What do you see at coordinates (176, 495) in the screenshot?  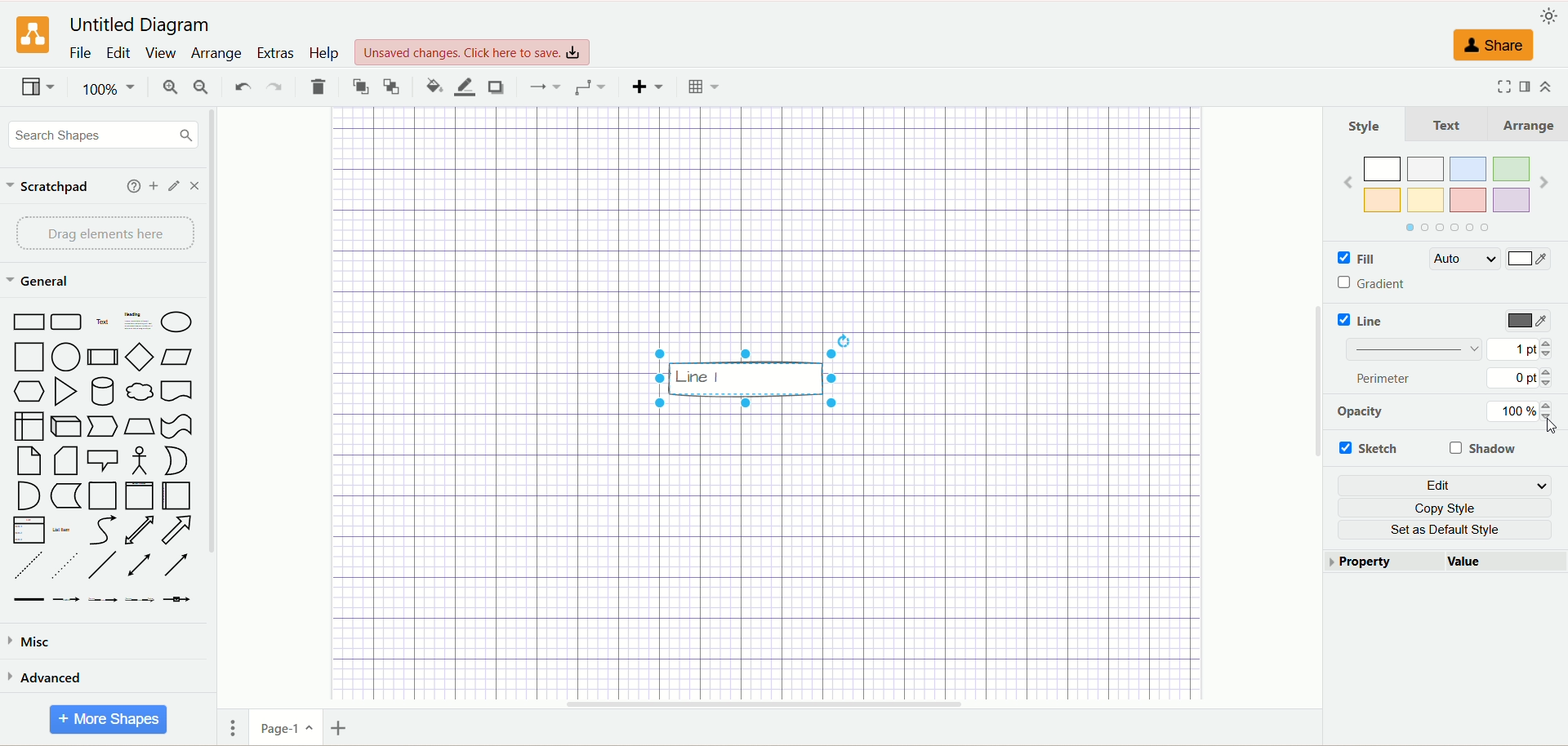 I see `Horizantal Container` at bounding box center [176, 495].